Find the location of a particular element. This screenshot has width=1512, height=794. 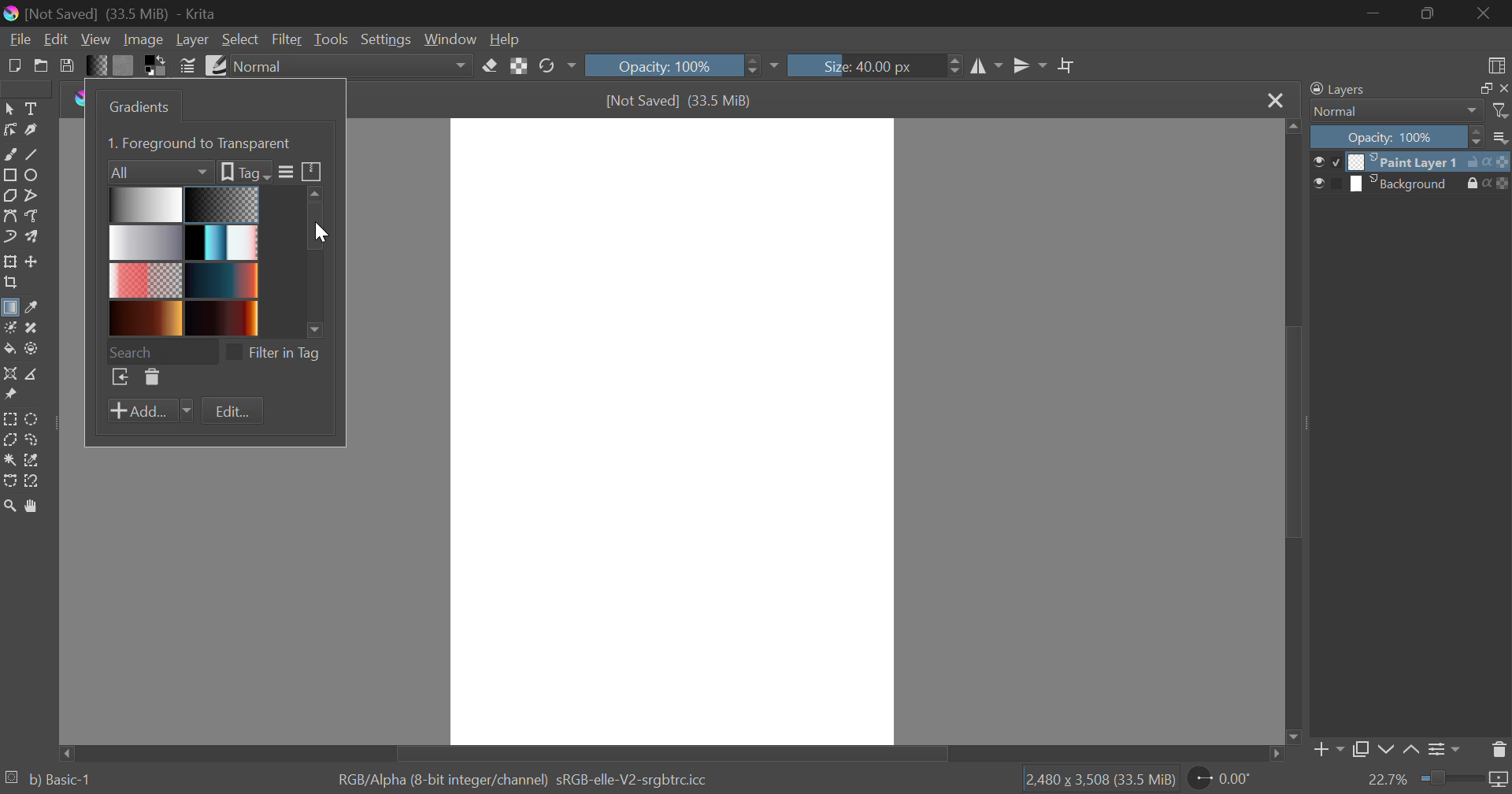

Storage Resources is located at coordinates (313, 170).